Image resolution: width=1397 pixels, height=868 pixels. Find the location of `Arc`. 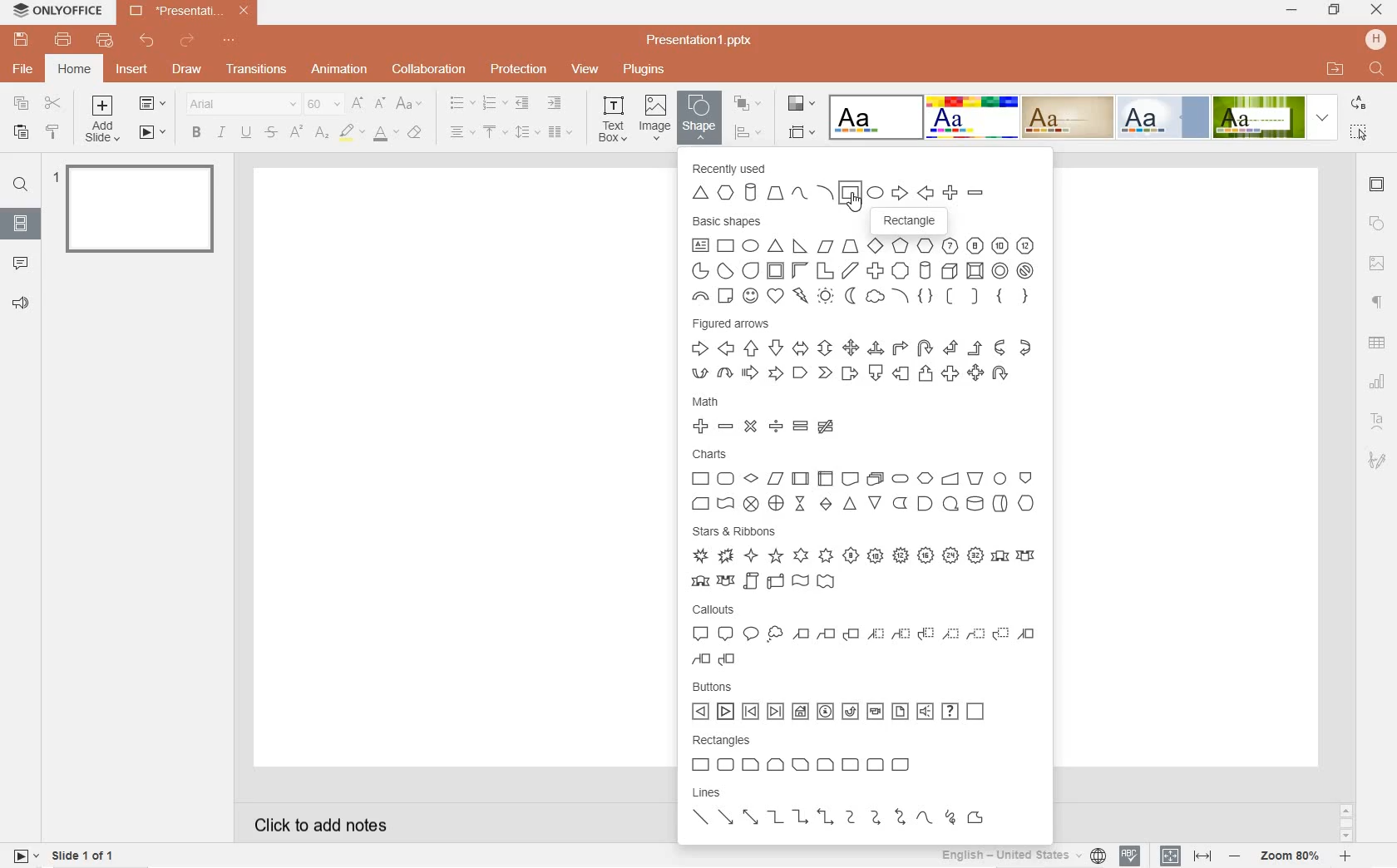

Arc is located at coordinates (901, 297).